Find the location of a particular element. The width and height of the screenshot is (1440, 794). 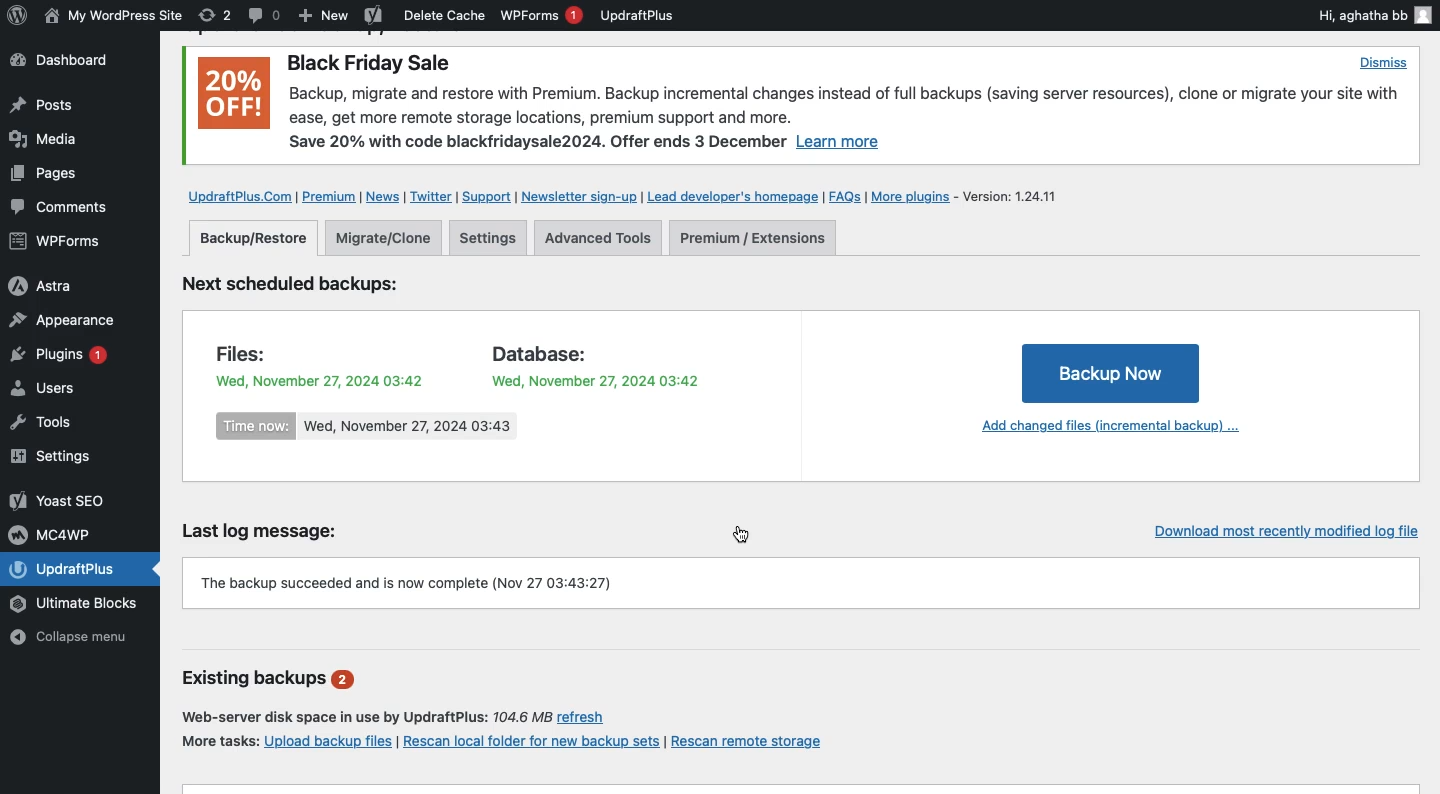

Wed, November 27, 2024 03:42 is located at coordinates (319, 378).